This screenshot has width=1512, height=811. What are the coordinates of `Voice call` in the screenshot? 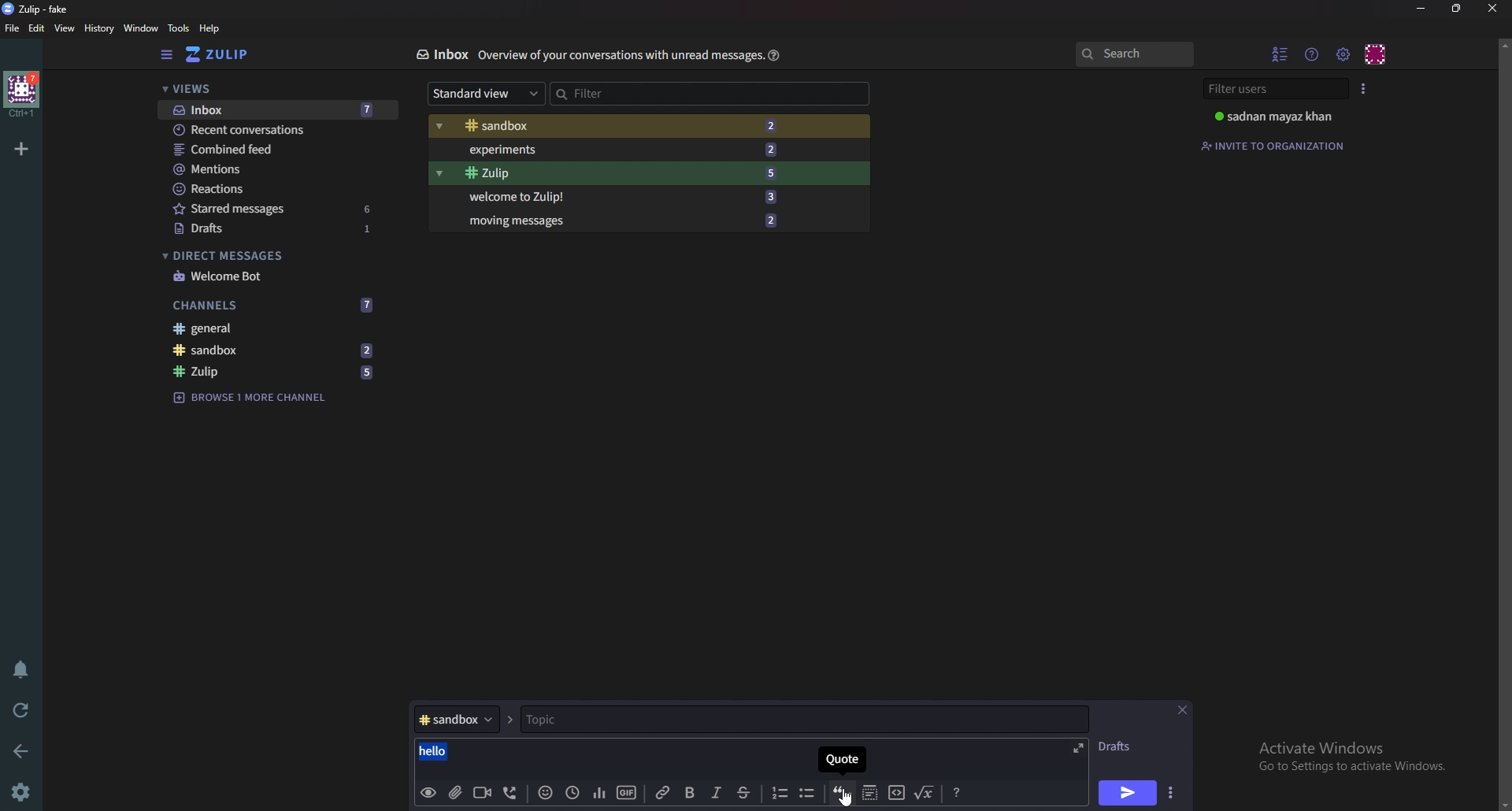 It's located at (510, 791).